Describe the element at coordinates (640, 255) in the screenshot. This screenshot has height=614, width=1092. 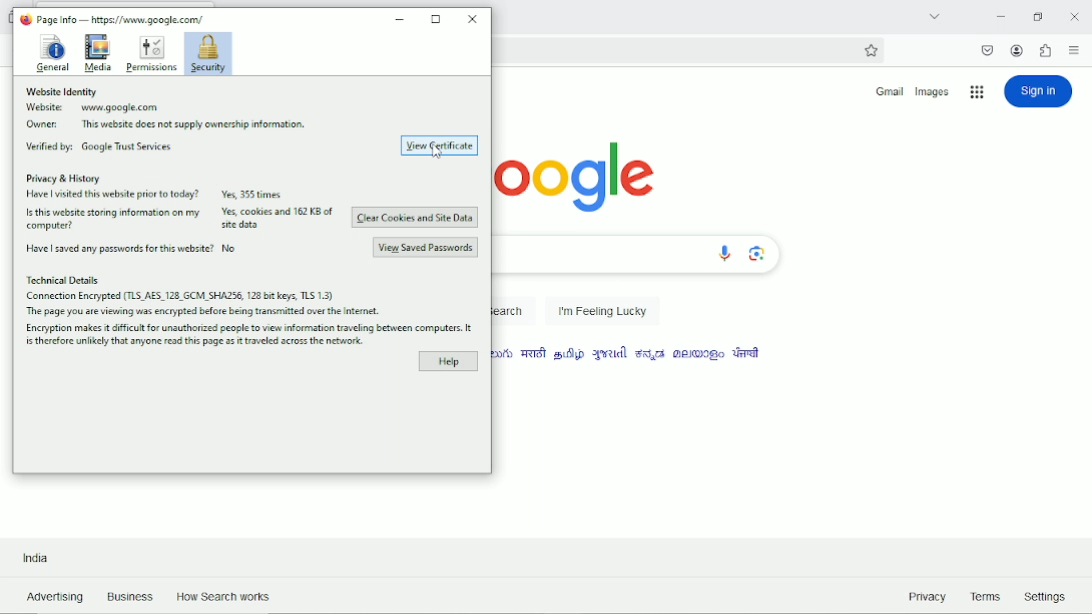
I see `Search bar` at that location.